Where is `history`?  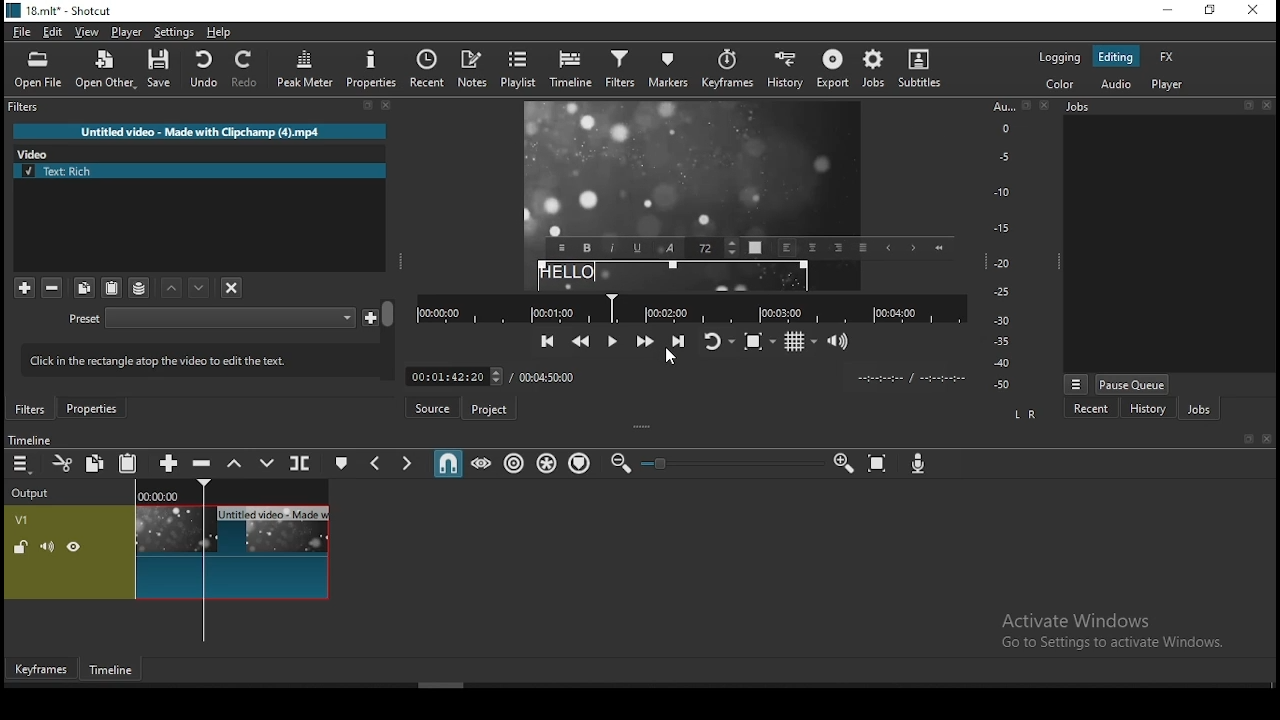 history is located at coordinates (784, 73).